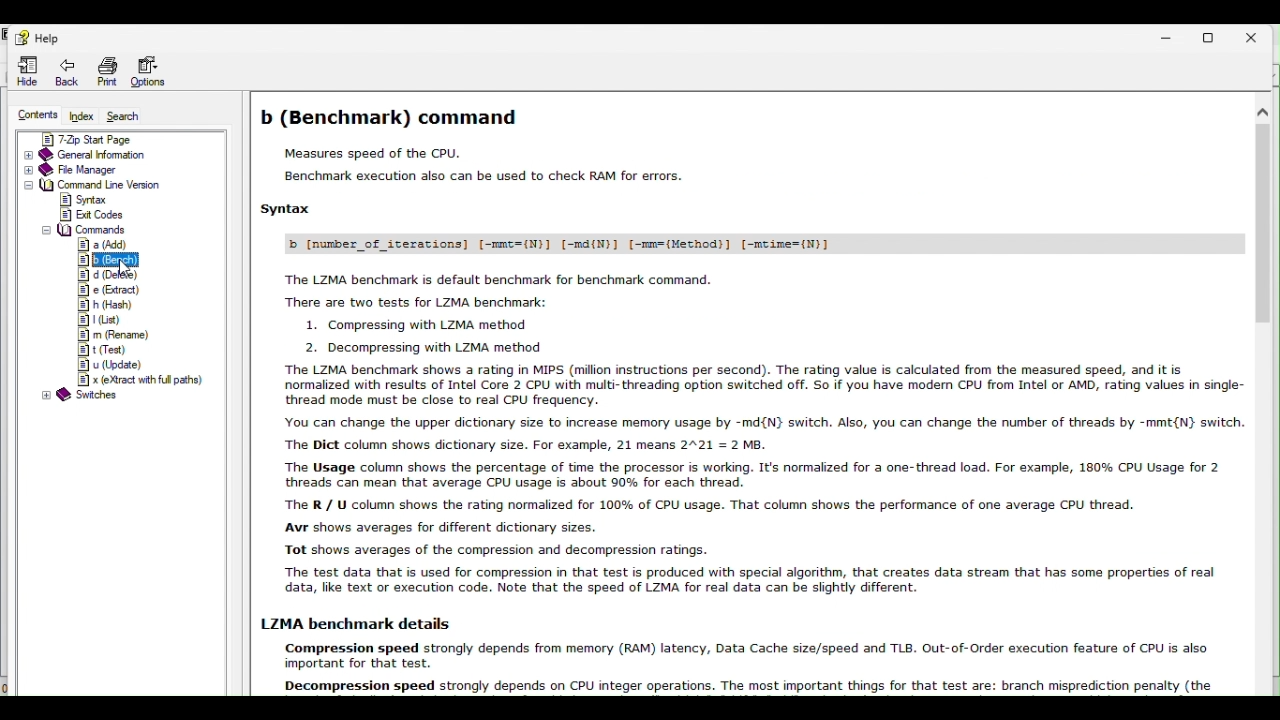 This screenshot has width=1280, height=720. What do you see at coordinates (81, 118) in the screenshot?
I see `Index` at bounding box center [81, 118].